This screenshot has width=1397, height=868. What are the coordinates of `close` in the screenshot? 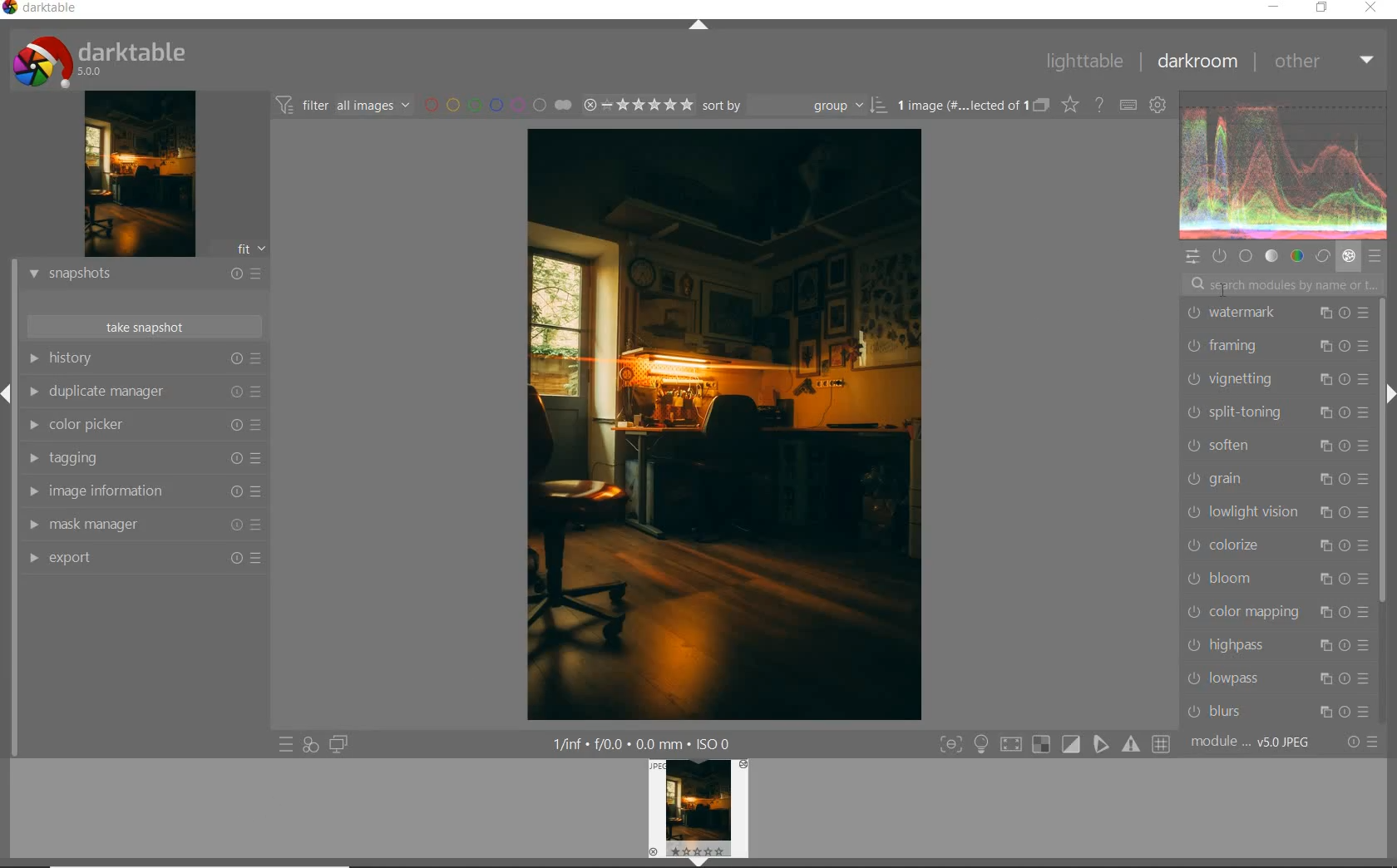 It's located at (1371, 7).